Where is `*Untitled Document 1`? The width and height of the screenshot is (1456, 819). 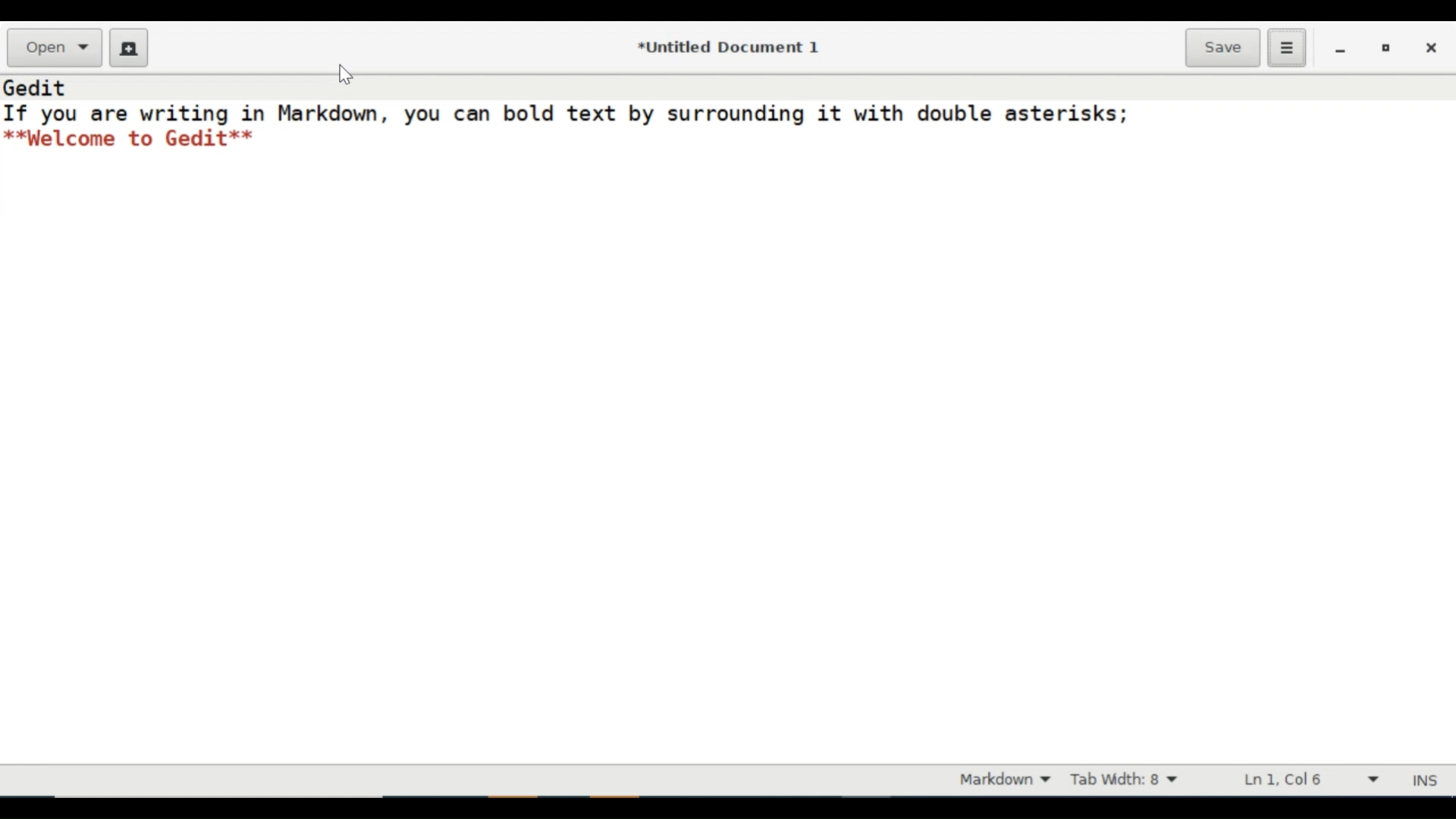 *Untitled Document 1 is located at coordinates (730, 47).